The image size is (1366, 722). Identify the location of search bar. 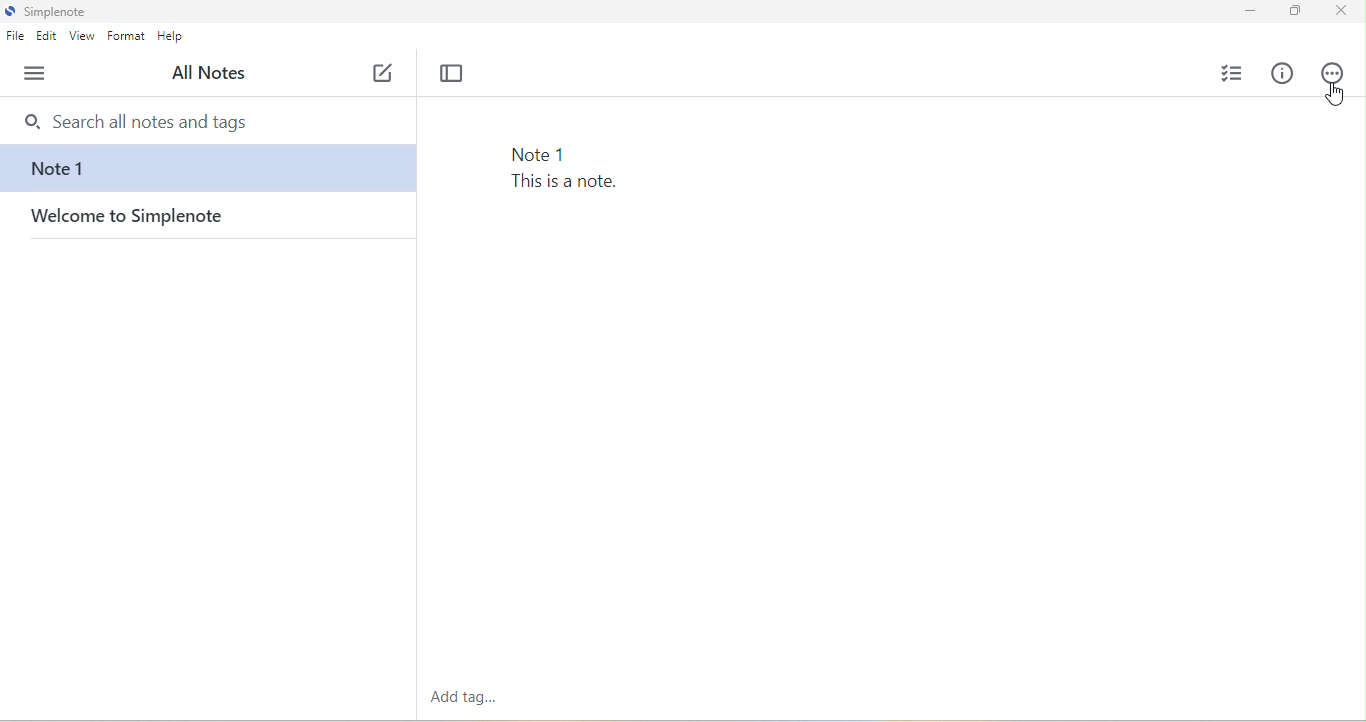
(148, 122).